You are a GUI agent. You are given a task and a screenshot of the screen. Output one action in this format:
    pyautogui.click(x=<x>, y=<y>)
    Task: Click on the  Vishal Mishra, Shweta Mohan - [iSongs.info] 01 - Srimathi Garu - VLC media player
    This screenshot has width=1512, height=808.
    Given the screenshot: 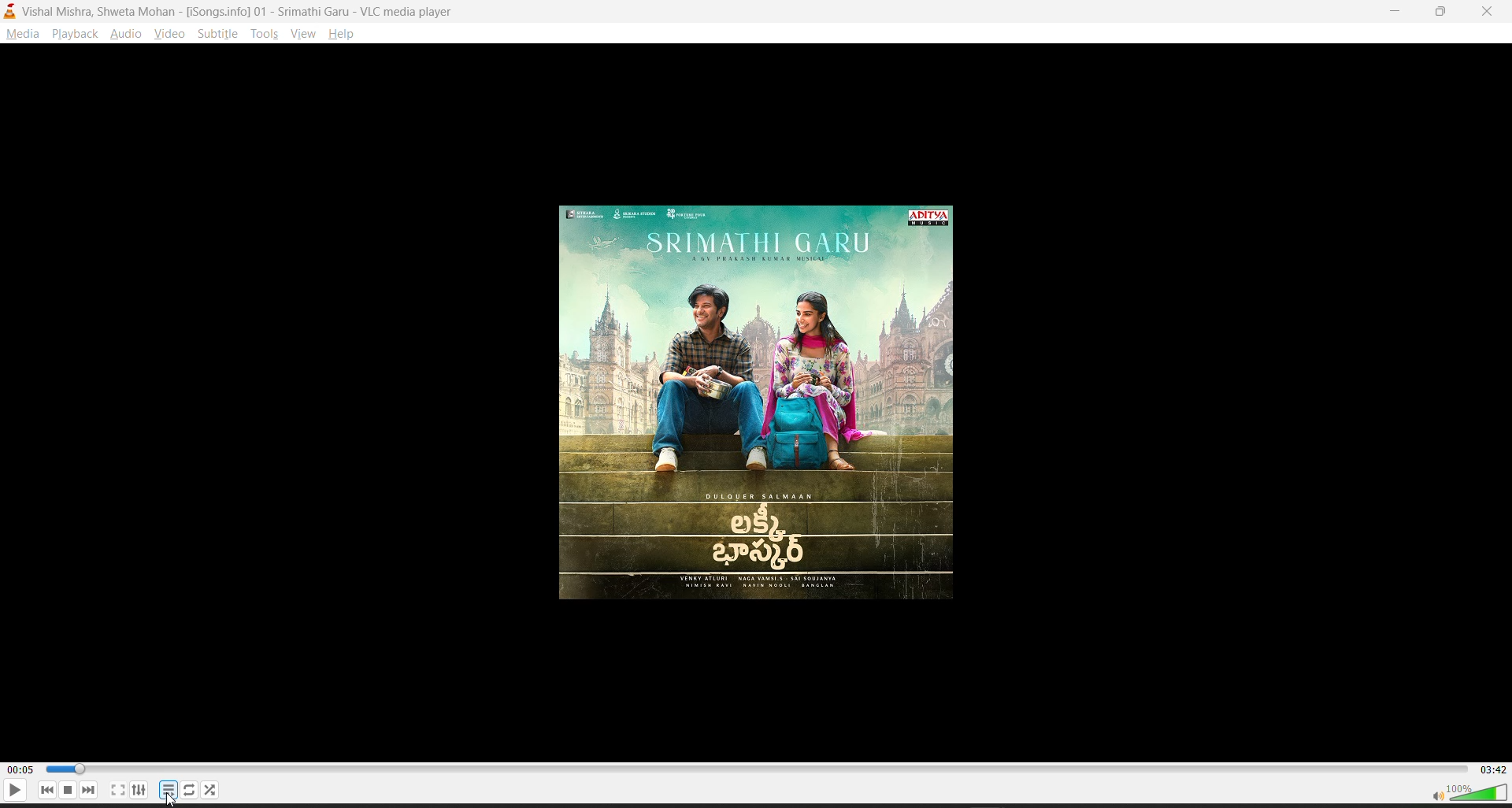 What is the action you would take?
    pyautogui.click(x=239, y=10)
    